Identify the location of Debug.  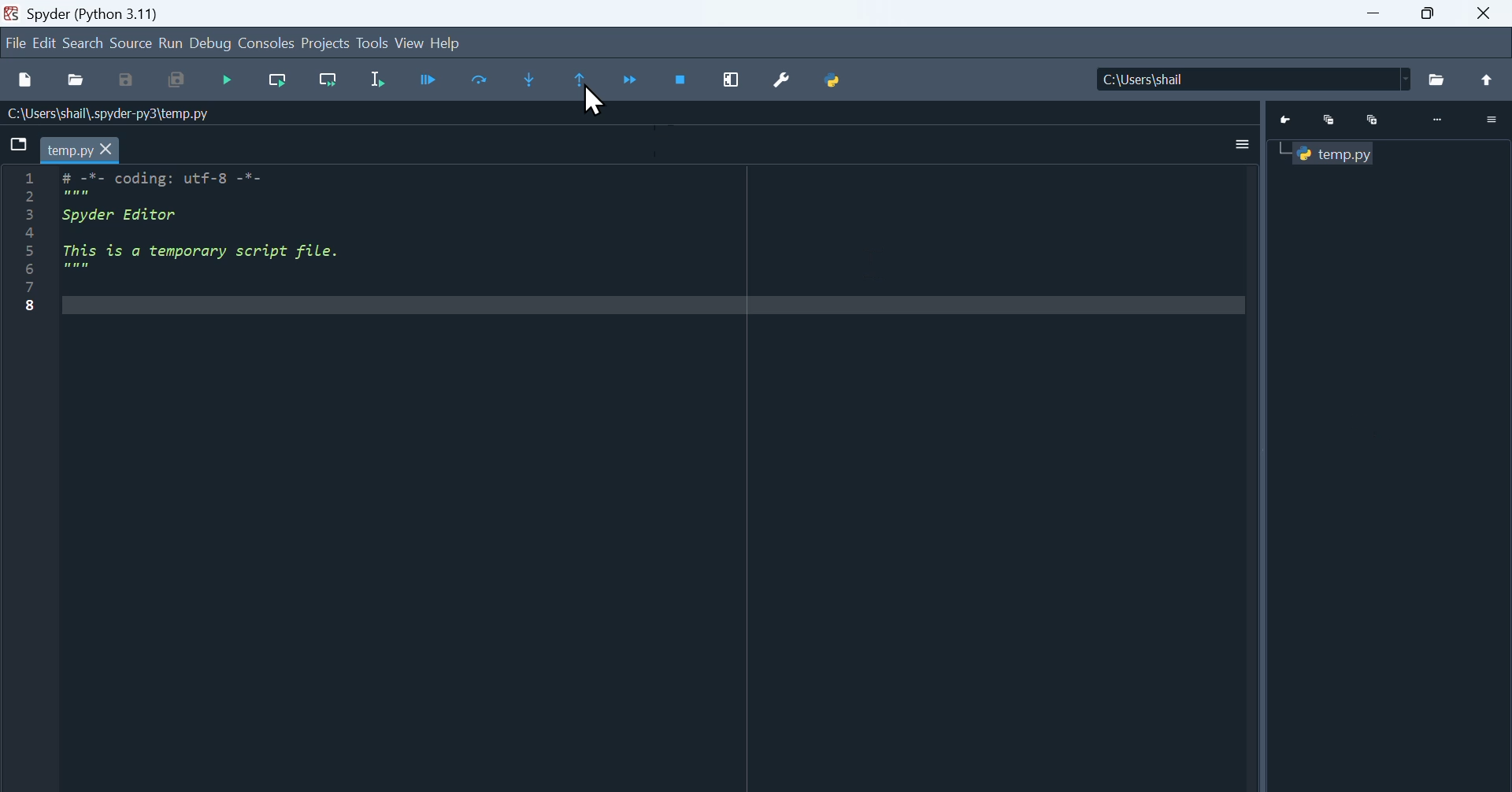
(210, 42).